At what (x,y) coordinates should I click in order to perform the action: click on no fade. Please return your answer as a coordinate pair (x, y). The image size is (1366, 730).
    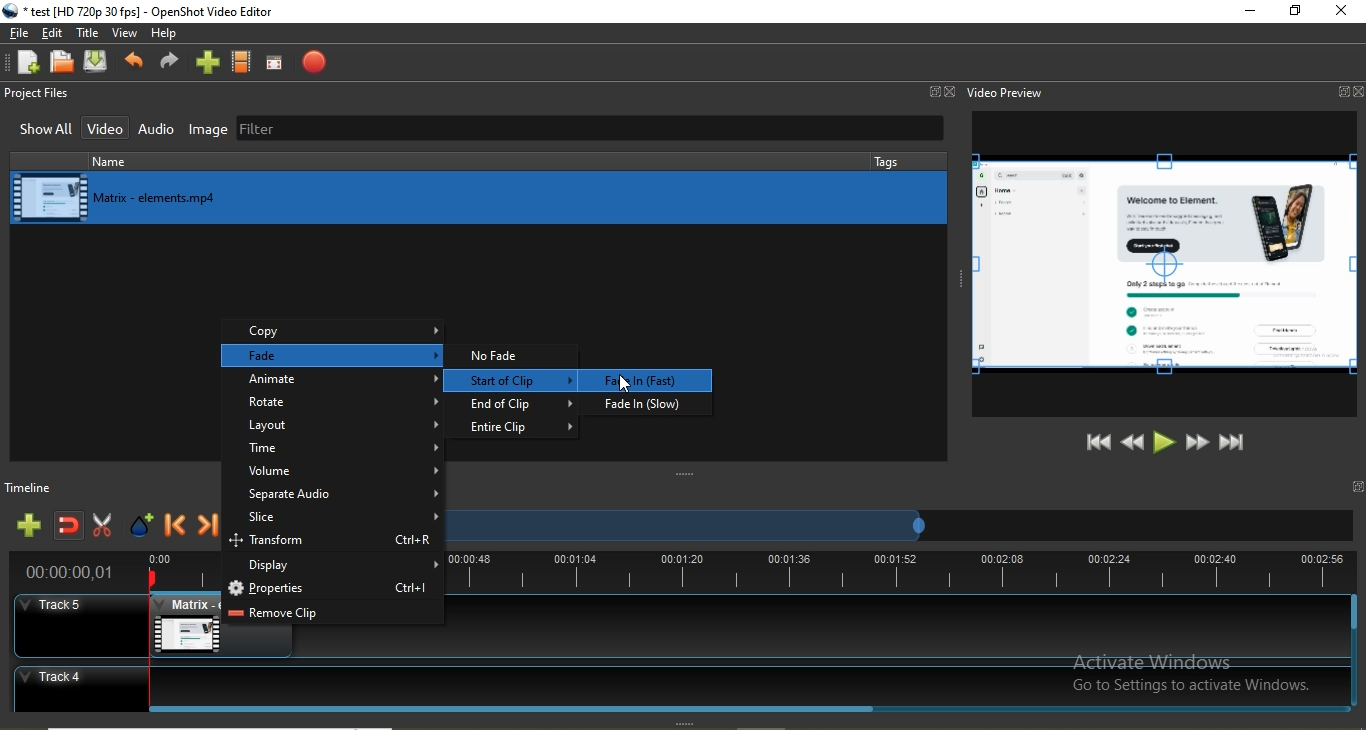
    Looking at the image, I should click on (517, 355).